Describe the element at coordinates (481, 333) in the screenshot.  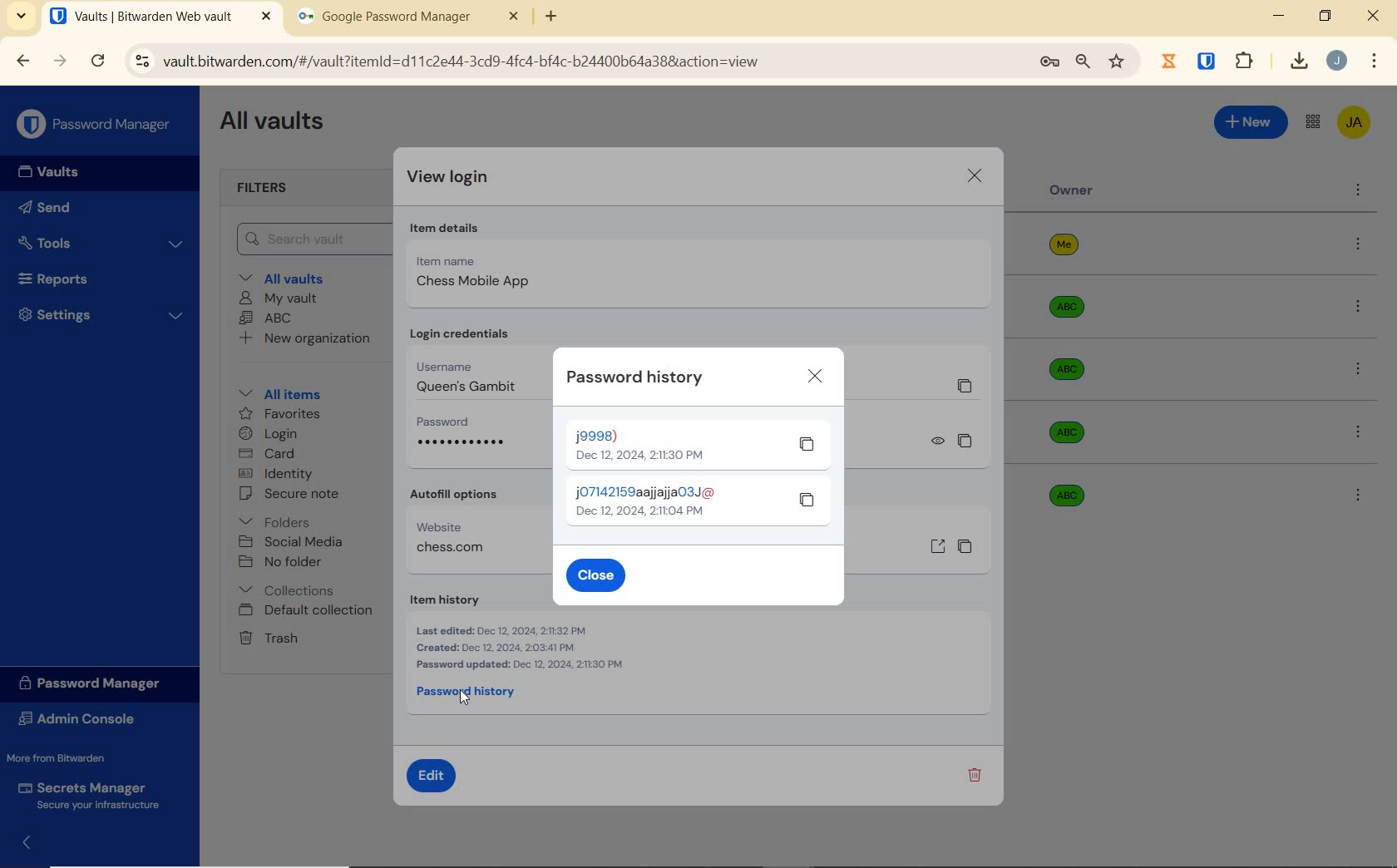
I see `Login credentials` at that location.